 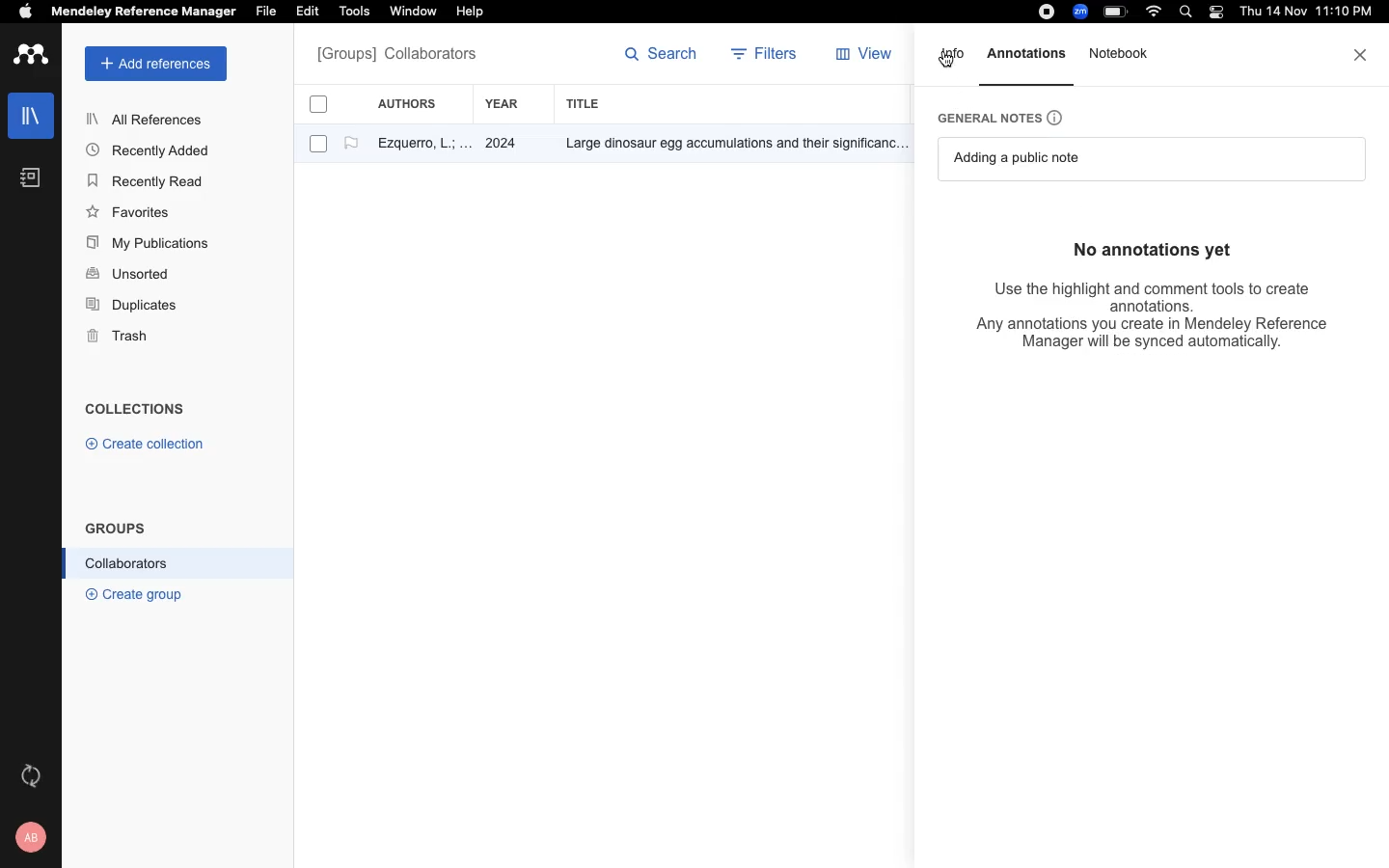 What do you see at coordinates (586, 103) in the screenshot?
I see `title` at bounding box center [586, 103].